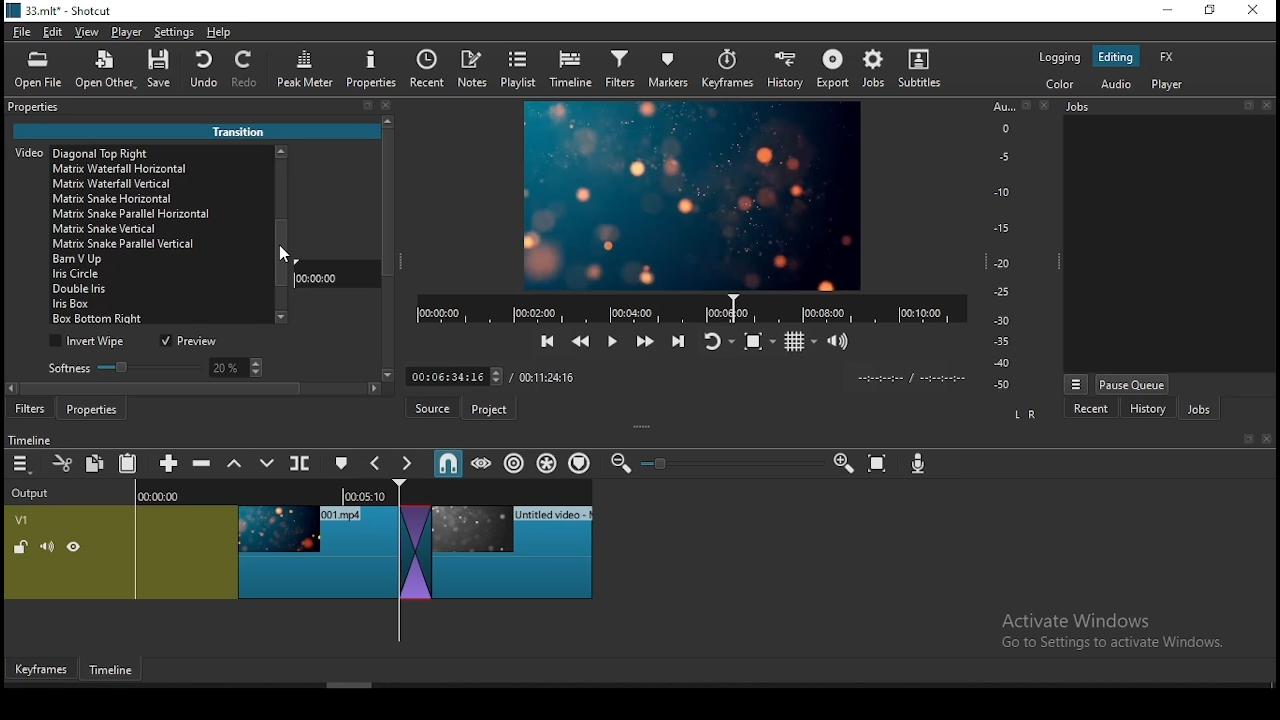 This screenshot has height=720, width=1280. Describe the element at coordinates (1171, 11) in the screenshot. I see `minimize` at that location.